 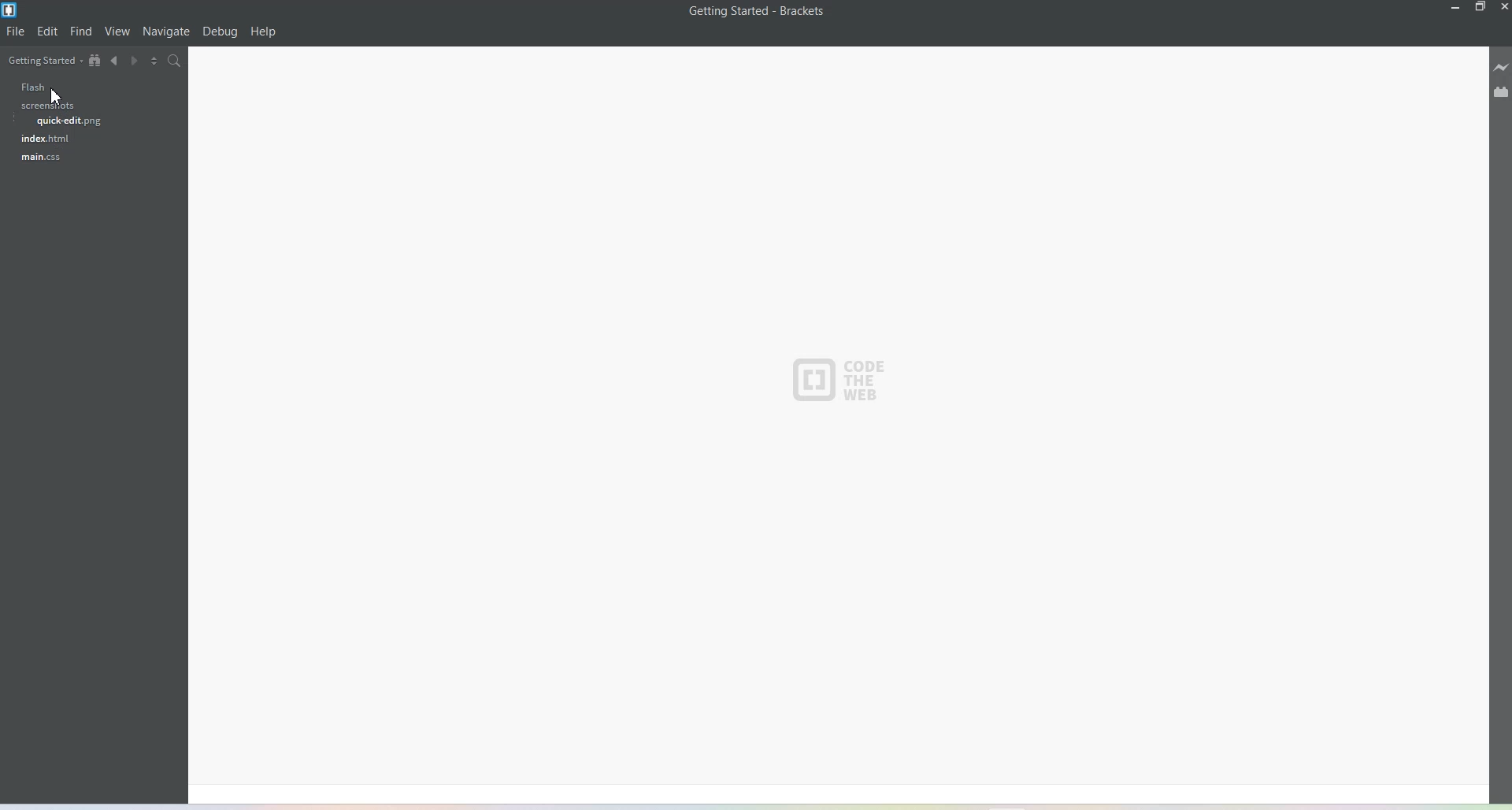 What do you see at coordinates (1501, 94) in the screenshot?
I see `Extension Manager` at bounding box center [1501, 94].